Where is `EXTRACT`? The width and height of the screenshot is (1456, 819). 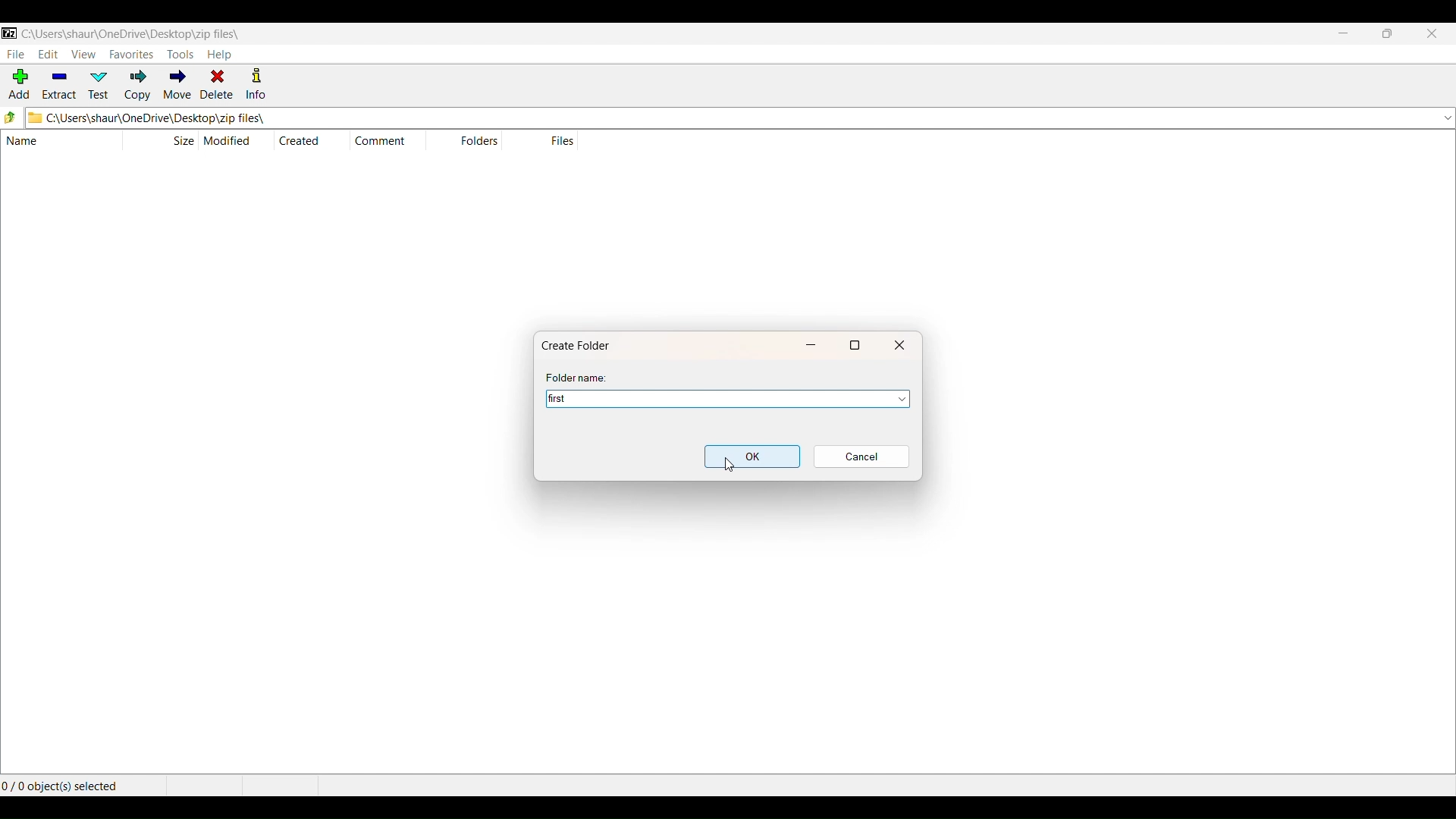 EXTRACT is located at coordinates (58, 86).